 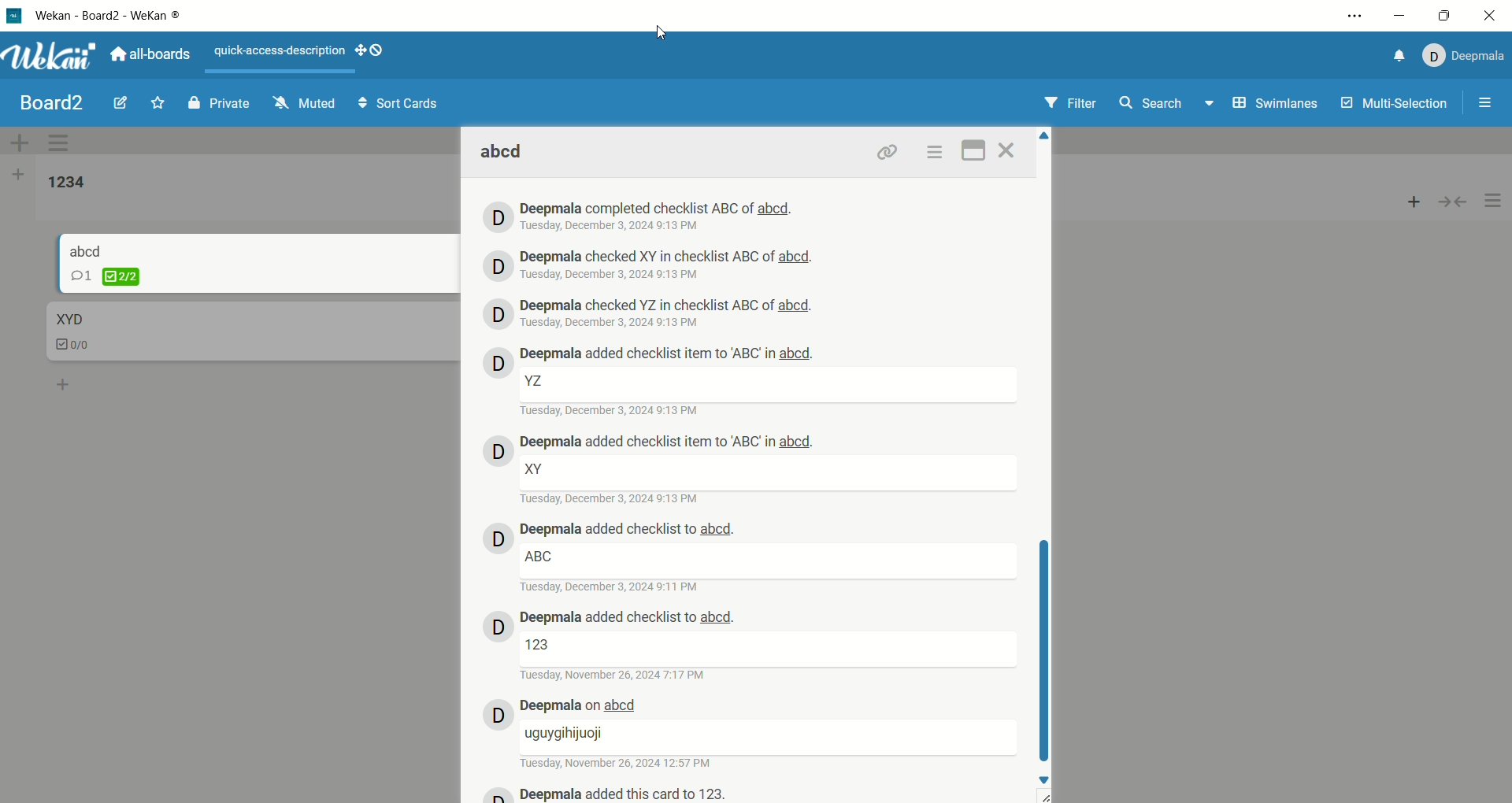 I want to click on edit, so click(x=120, y=101).